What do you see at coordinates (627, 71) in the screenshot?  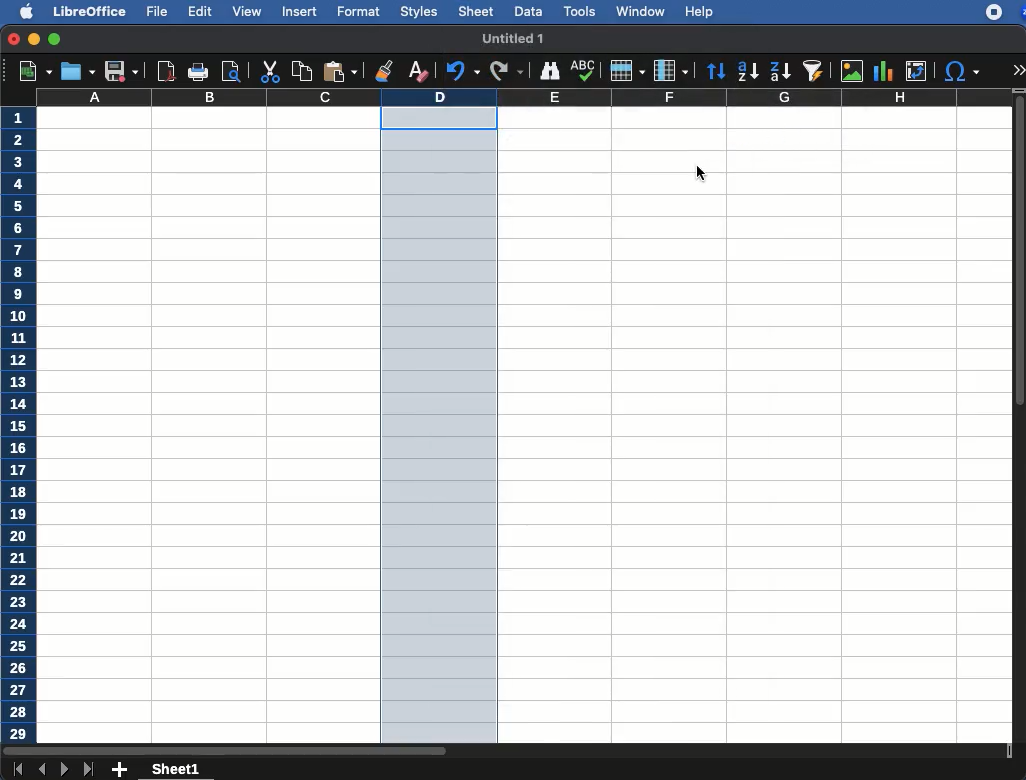 I see `row` at bounding box center [627, 71].